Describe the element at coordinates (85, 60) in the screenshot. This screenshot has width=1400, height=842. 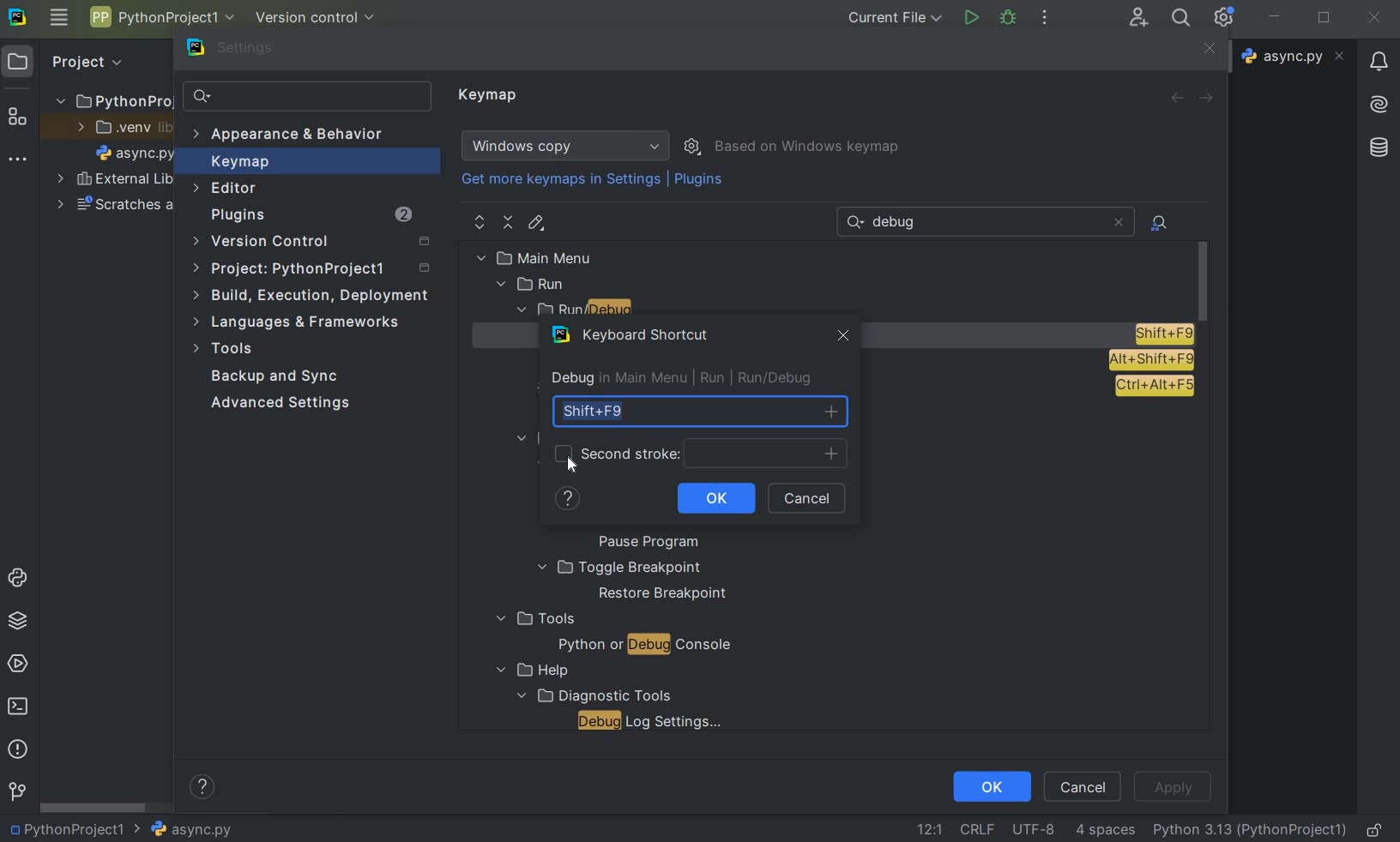
I see `Project` at that location.